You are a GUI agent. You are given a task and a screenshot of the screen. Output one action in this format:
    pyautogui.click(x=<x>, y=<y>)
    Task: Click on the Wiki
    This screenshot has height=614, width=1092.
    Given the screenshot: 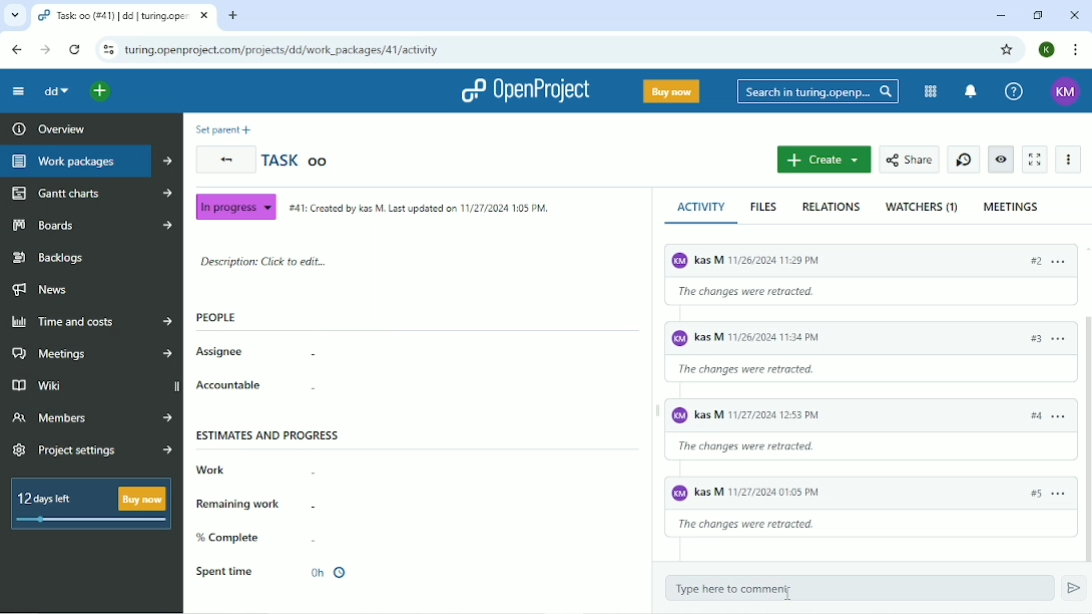 What is the action you would take?
    pyautogui.click(x=93, y=386)
    